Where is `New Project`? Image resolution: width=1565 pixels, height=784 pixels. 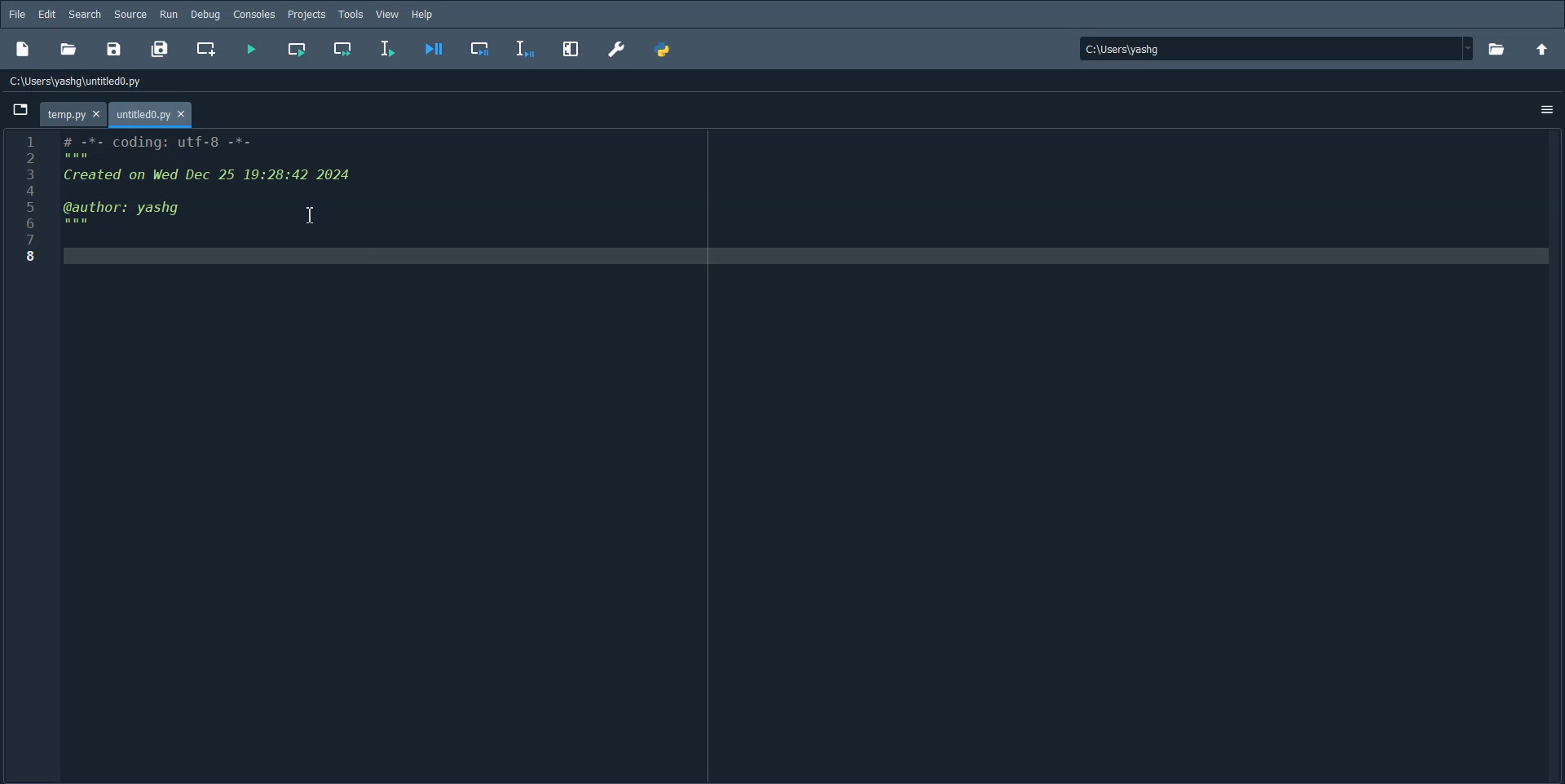
New Project is located at coordinates (23, 47).